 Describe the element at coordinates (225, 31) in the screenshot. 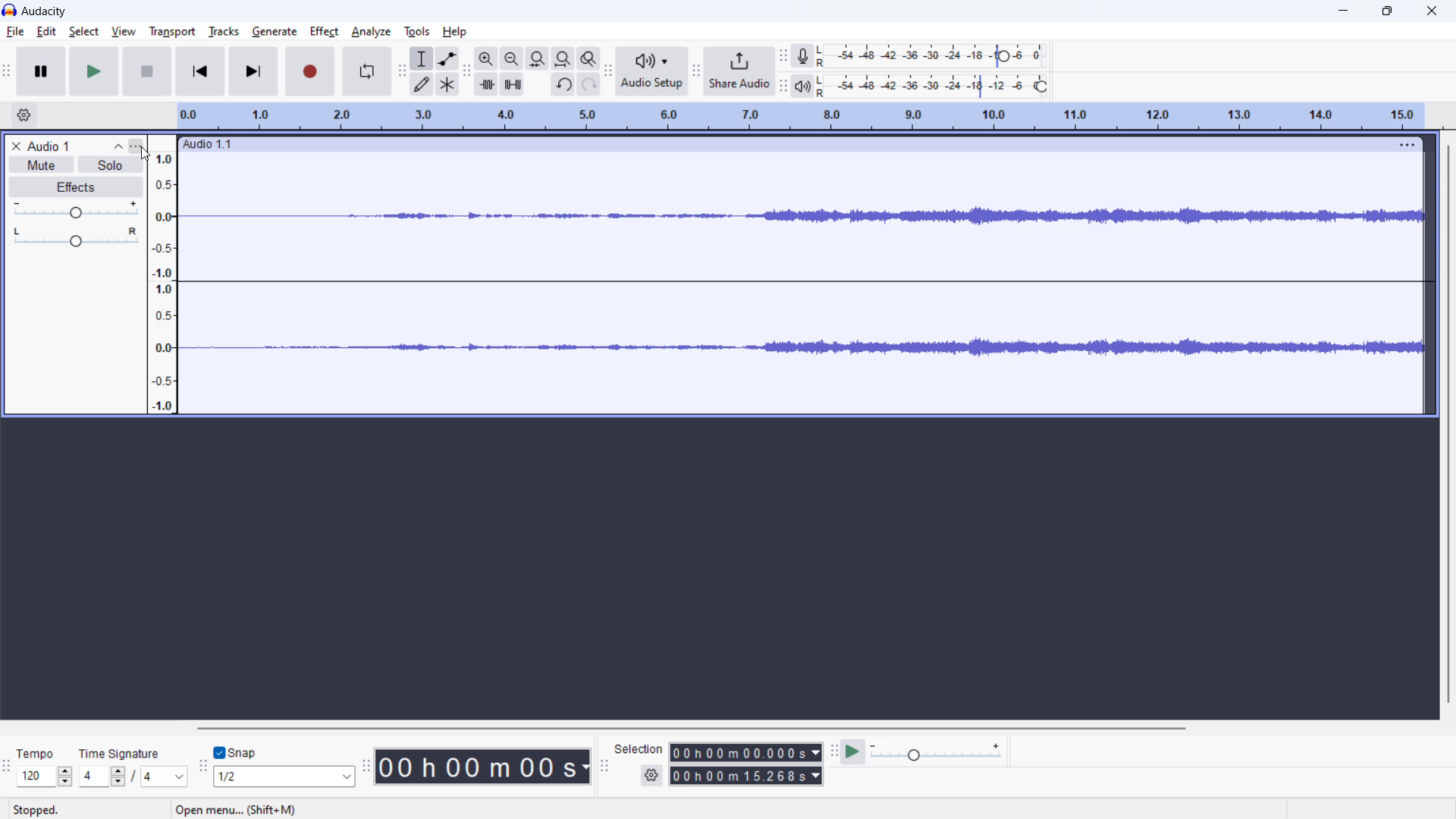

I see `tracks` at that location.